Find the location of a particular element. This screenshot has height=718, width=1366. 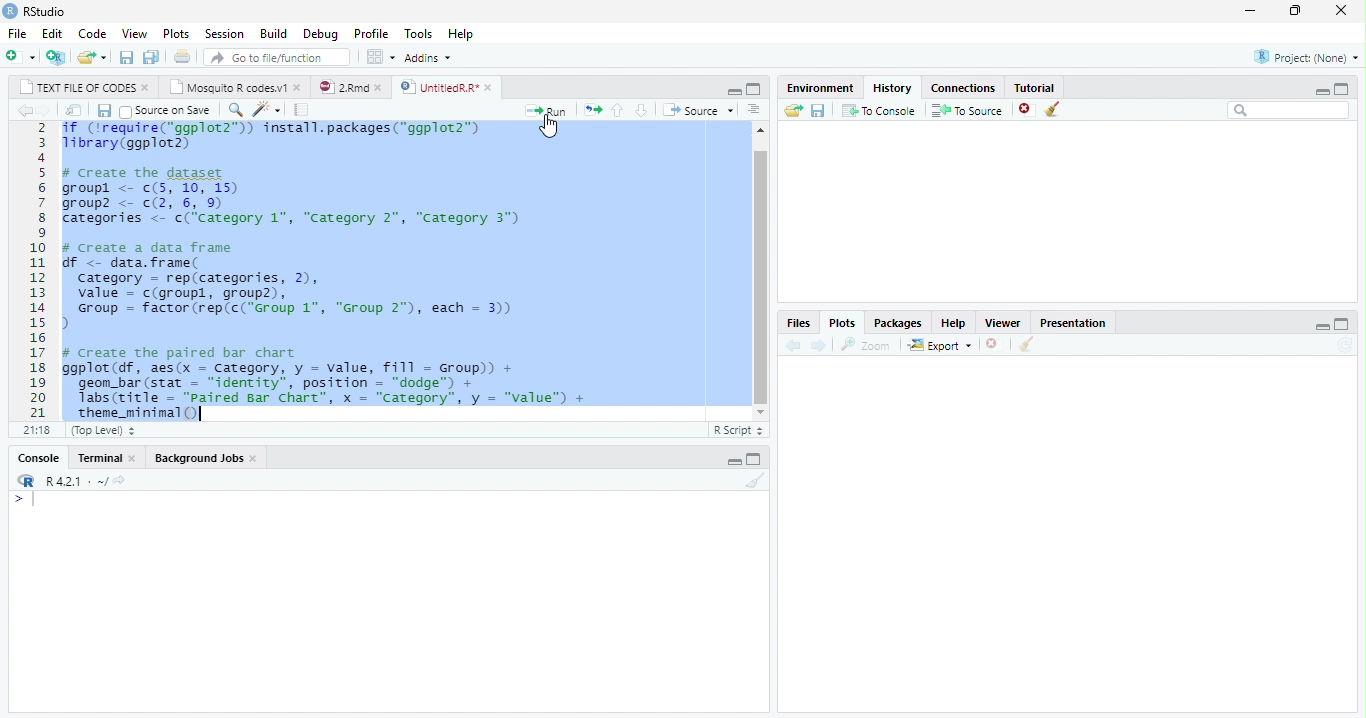

close is located at coordinates (133, 457).